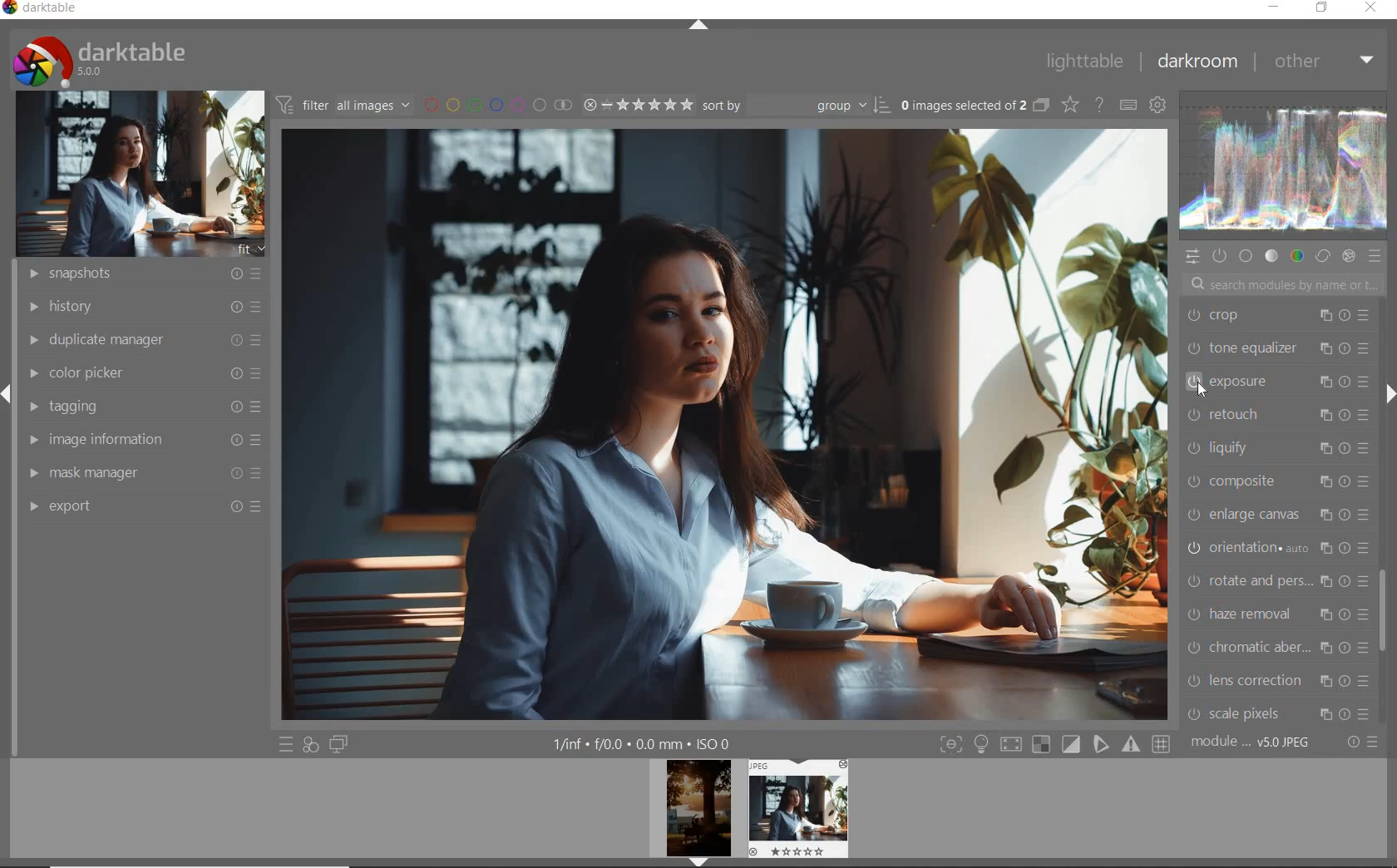 This screenshot has width=1397, height=868. I want to click on DEFINE KEYBOARD SHORTCUT, so click(1129, 106).